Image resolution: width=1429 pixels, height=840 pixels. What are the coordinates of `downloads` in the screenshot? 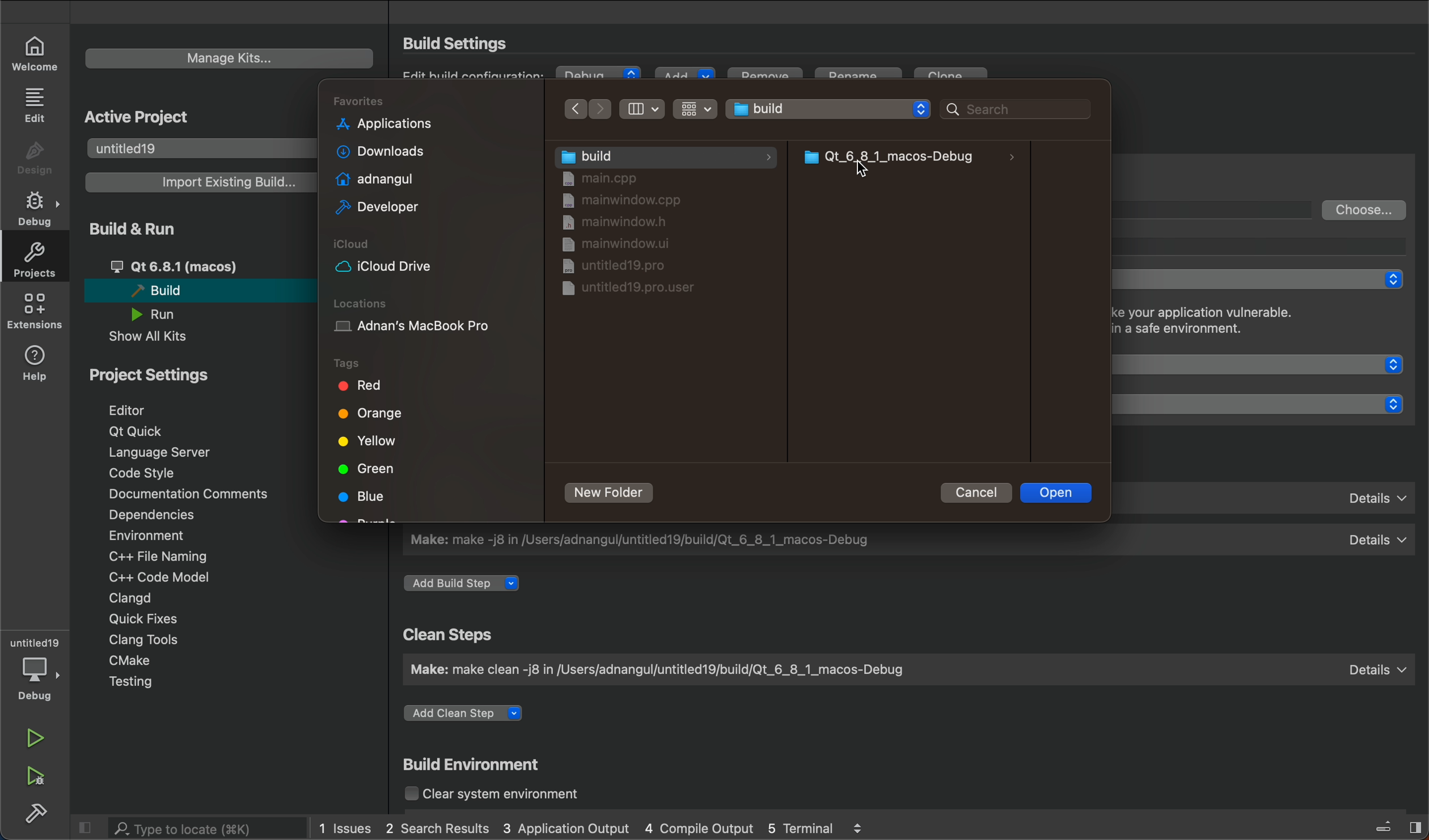 It's located at (375, 151).